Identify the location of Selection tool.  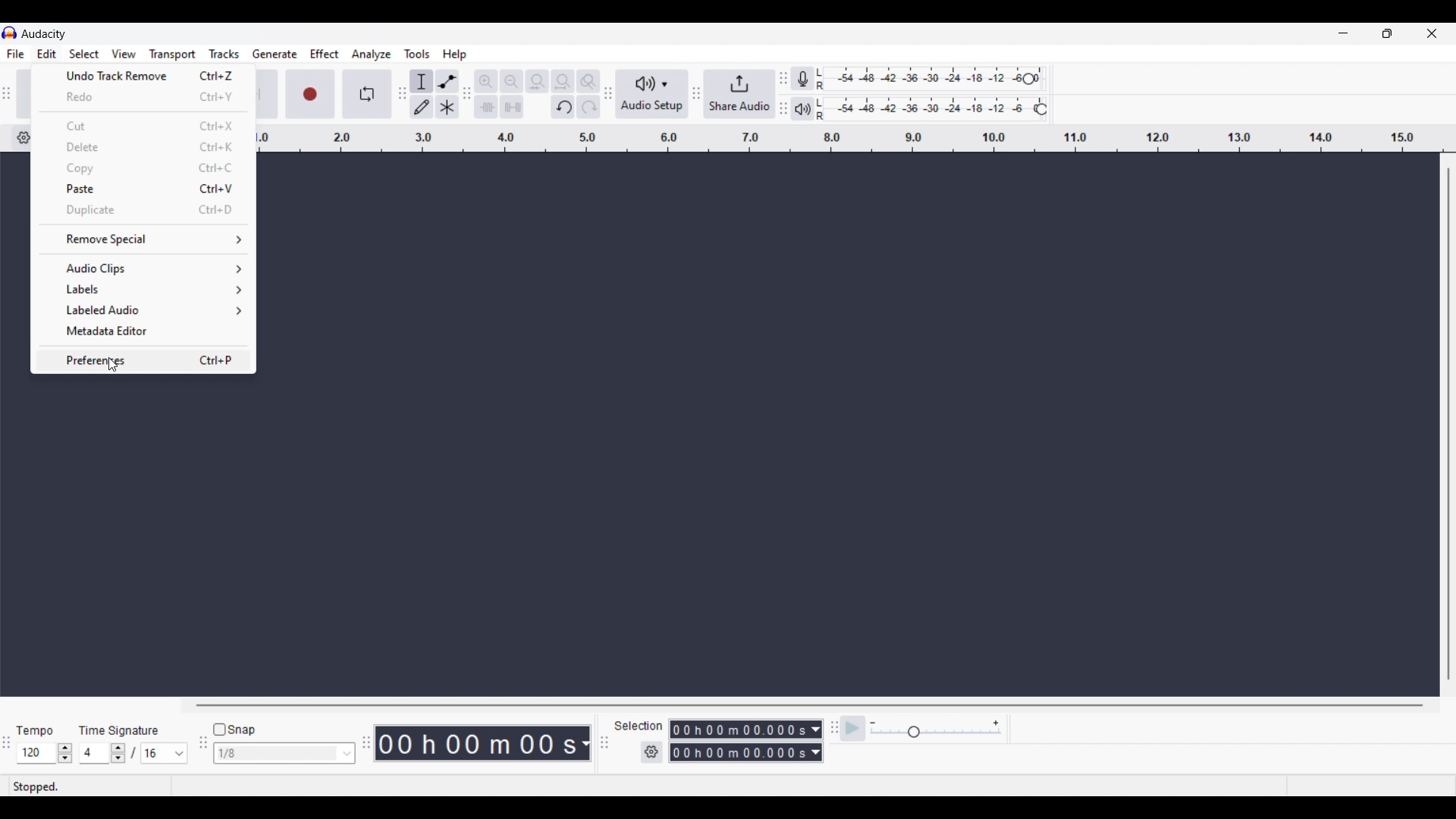
(422, 81).